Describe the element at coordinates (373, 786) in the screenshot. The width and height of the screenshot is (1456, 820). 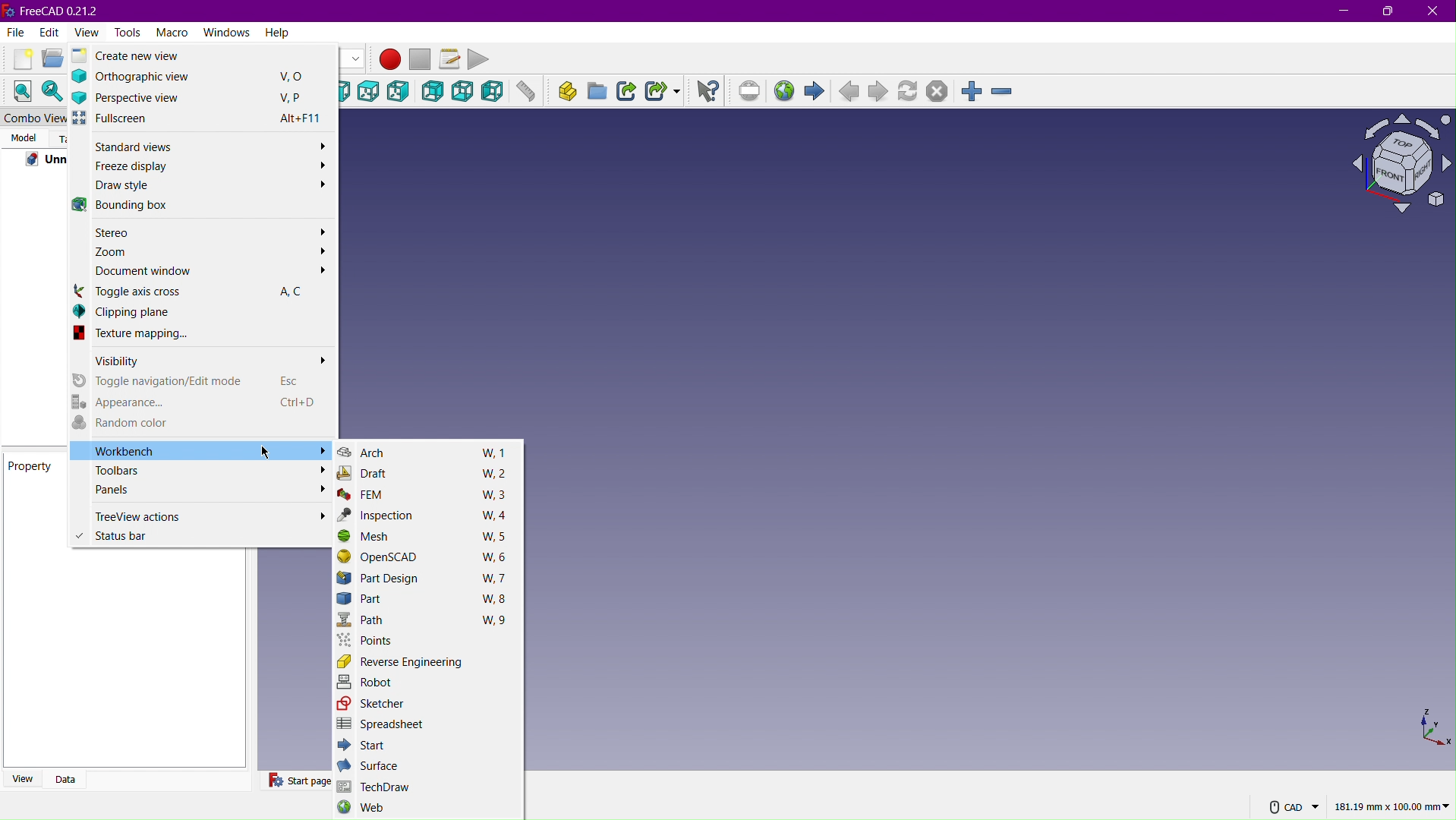
I see `TechDraw` at that location.